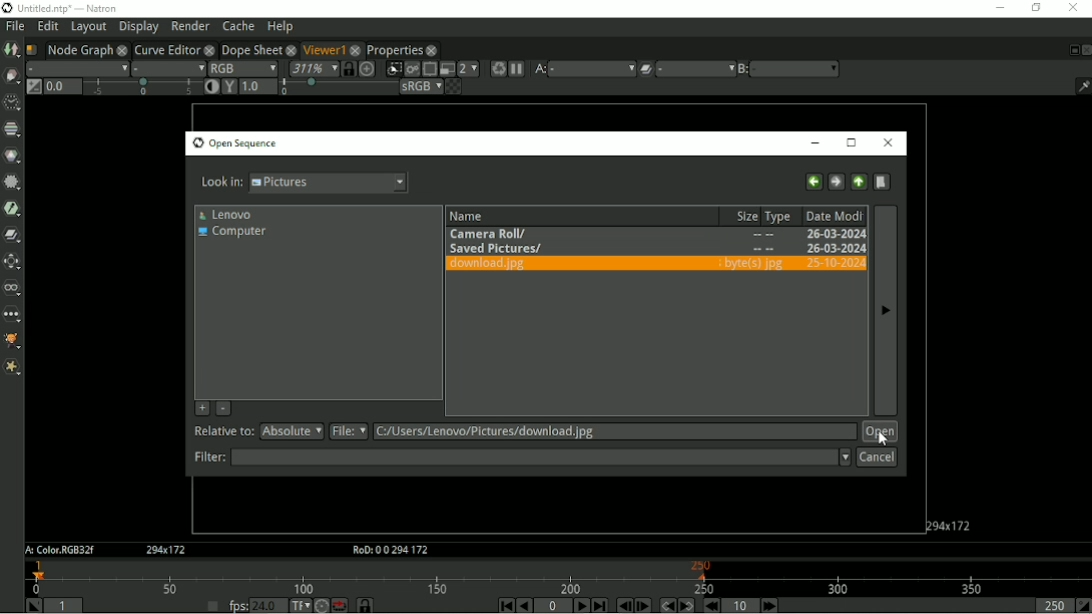 This screenshot has height=614, width=1092. I want to click on Computer, so click(232, 233).